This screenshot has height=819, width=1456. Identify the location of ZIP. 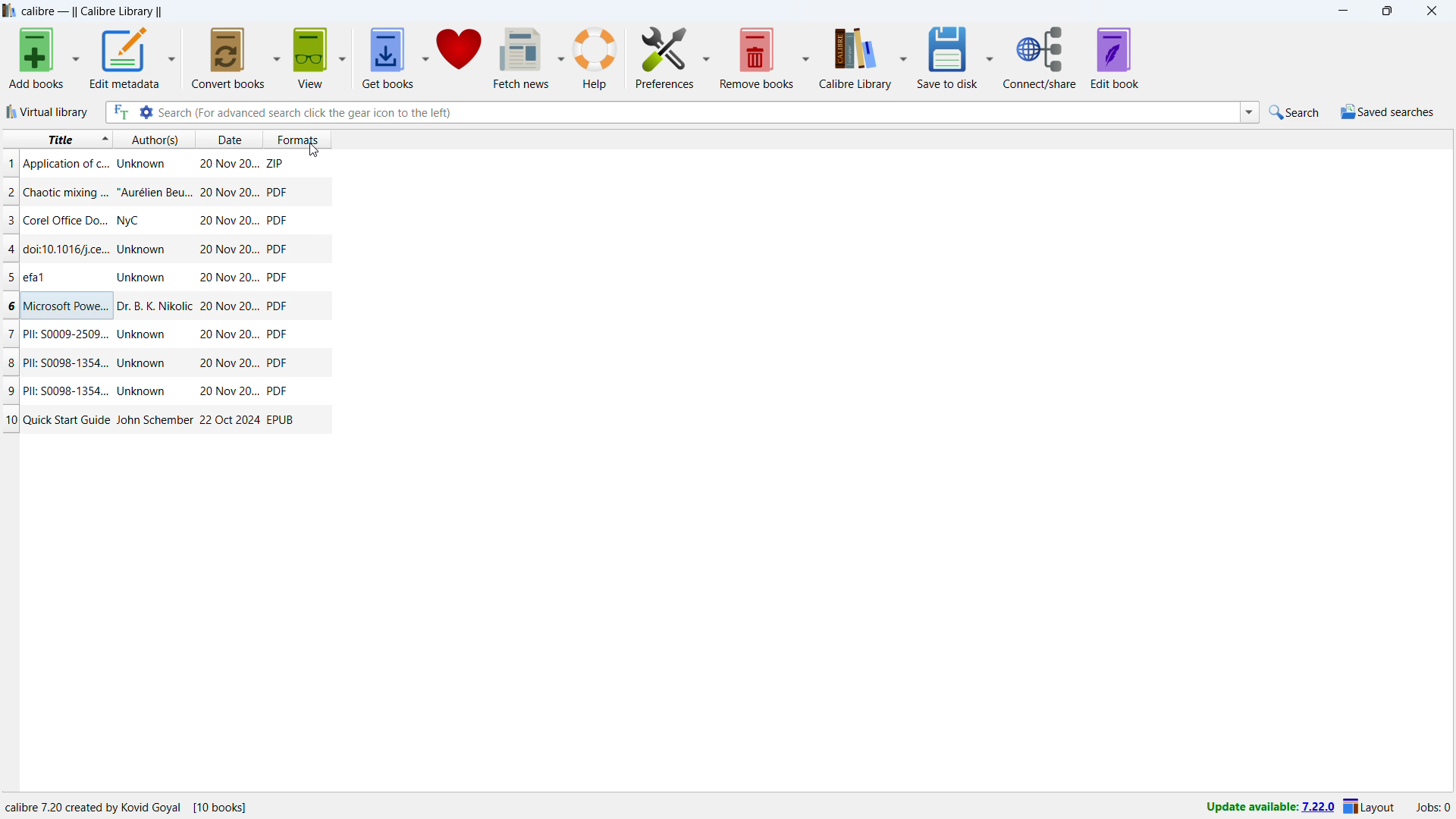
(275, 162).